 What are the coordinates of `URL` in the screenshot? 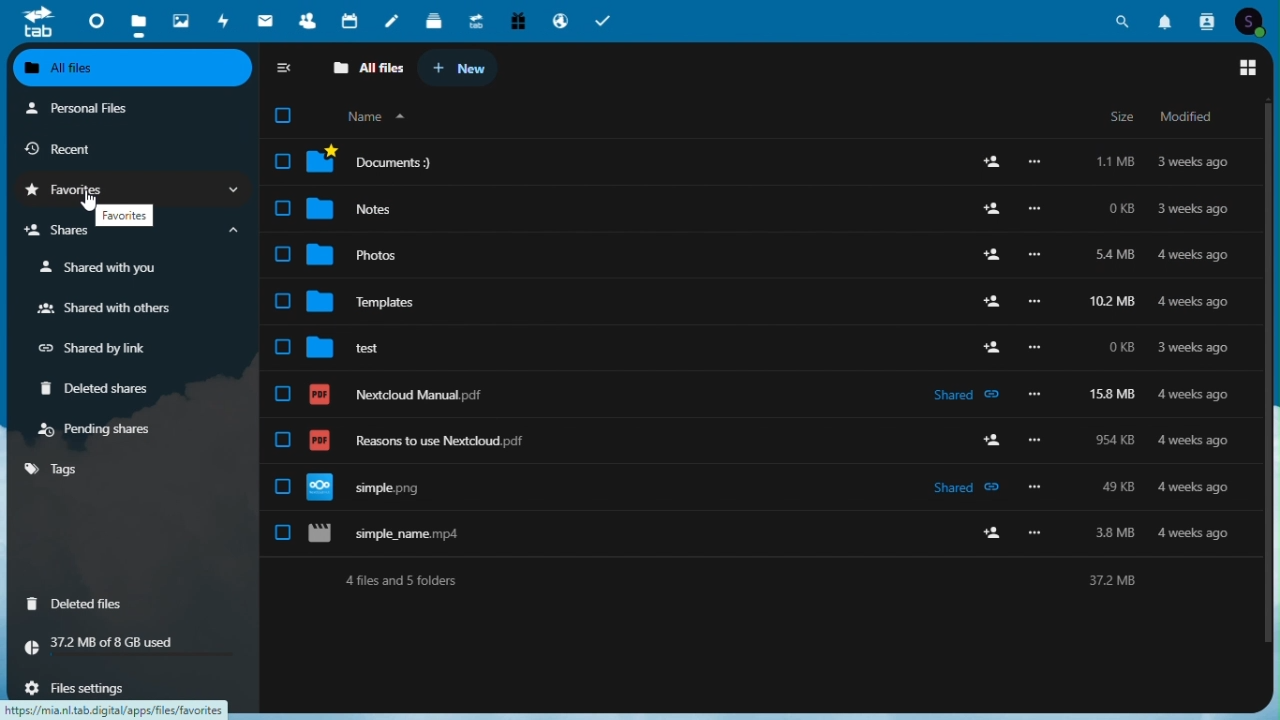 It's located at (116, 710).